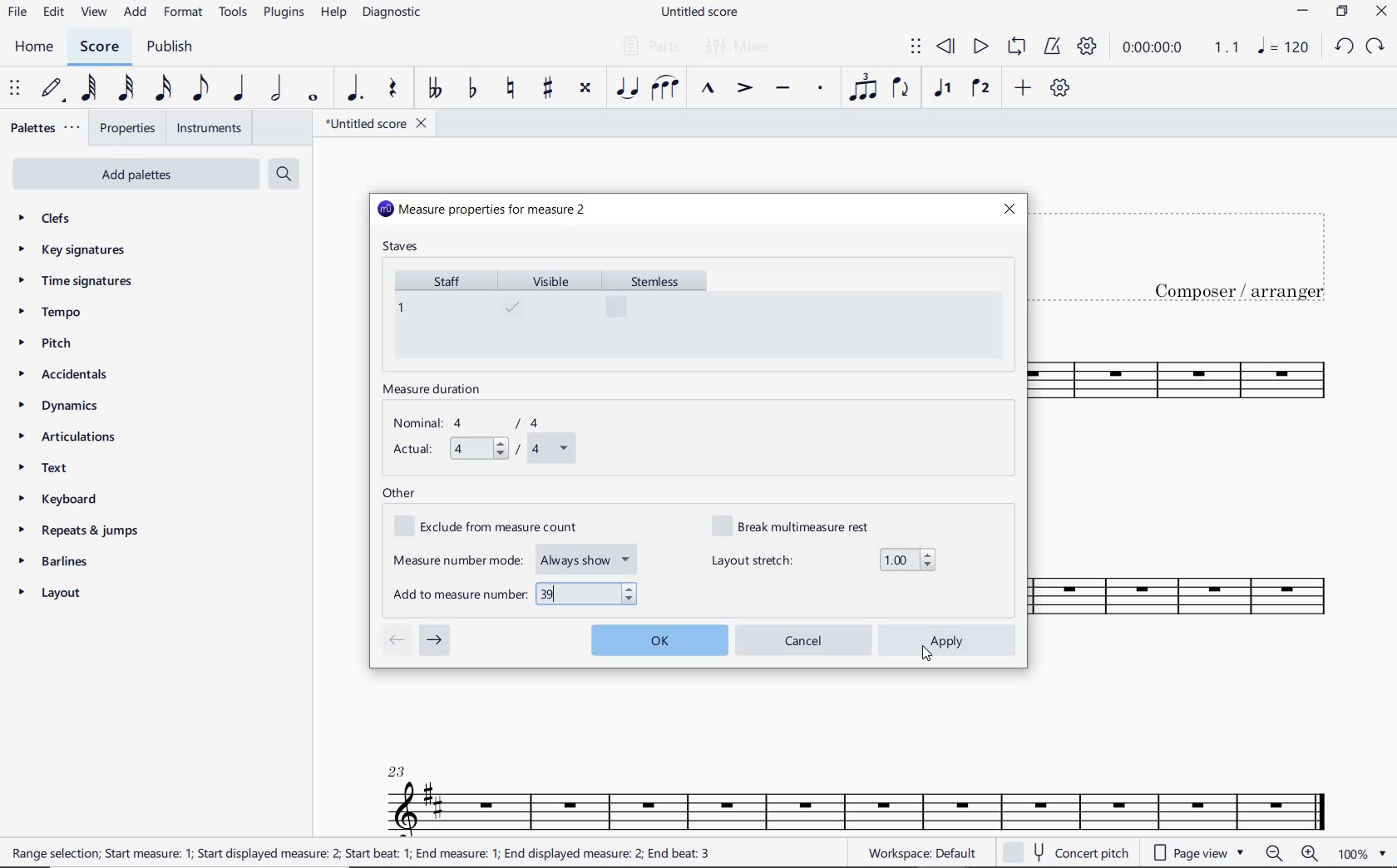  What do you see at coordinates (496, 527) in the screenshot?
I see `exclude from measure count` at bounding box center [496, 527].